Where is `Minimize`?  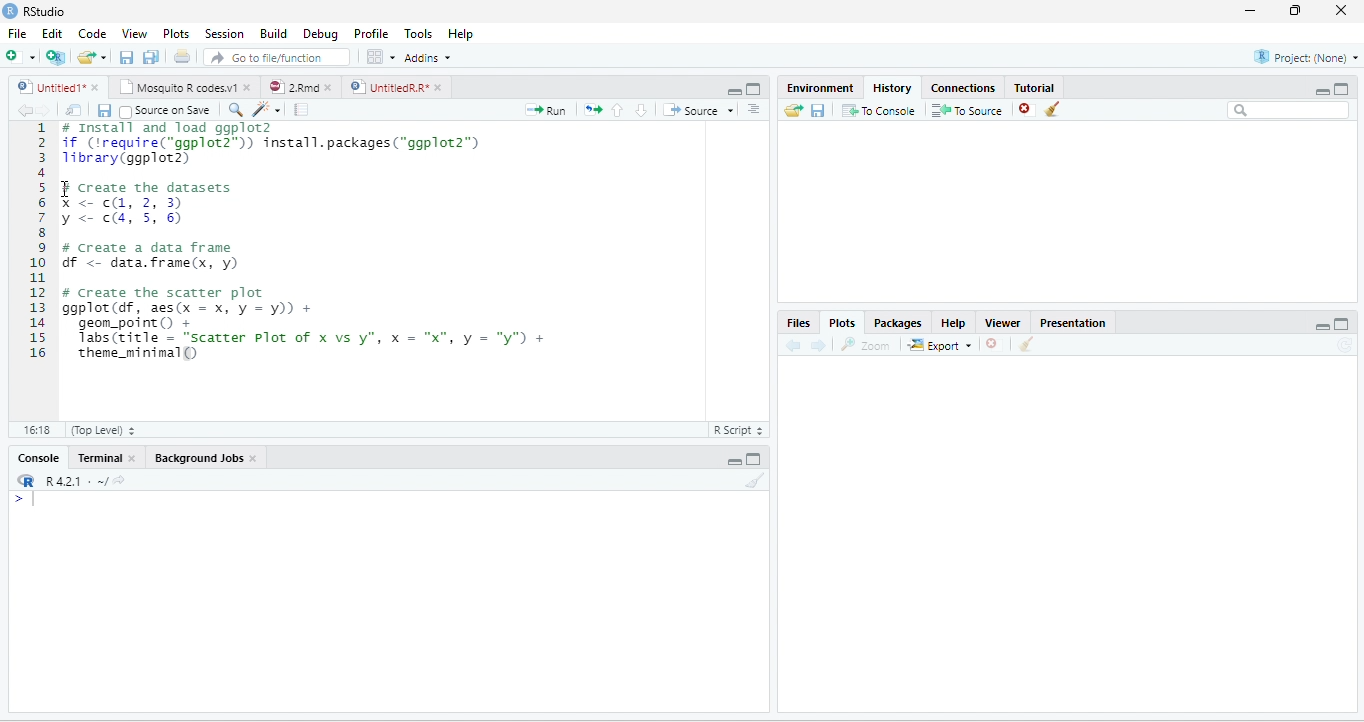 Minimize is located at coordinates (732, 90).